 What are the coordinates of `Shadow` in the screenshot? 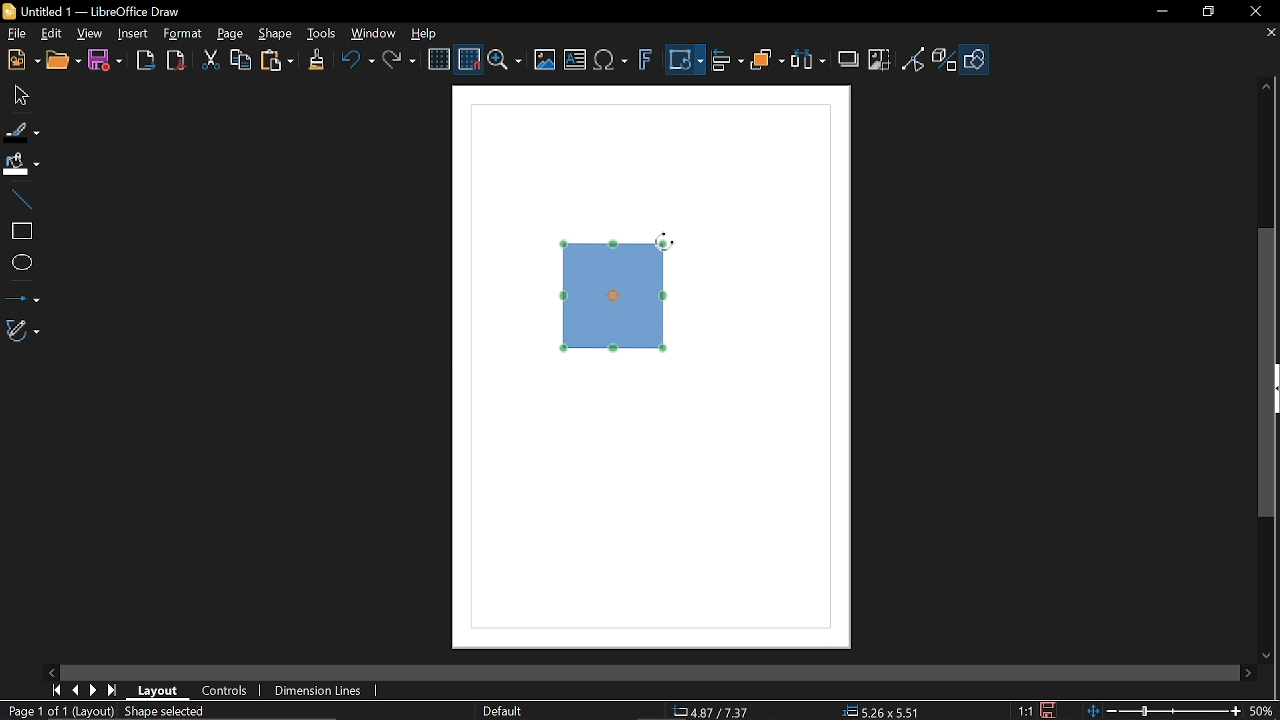 It's located at (846, 58).